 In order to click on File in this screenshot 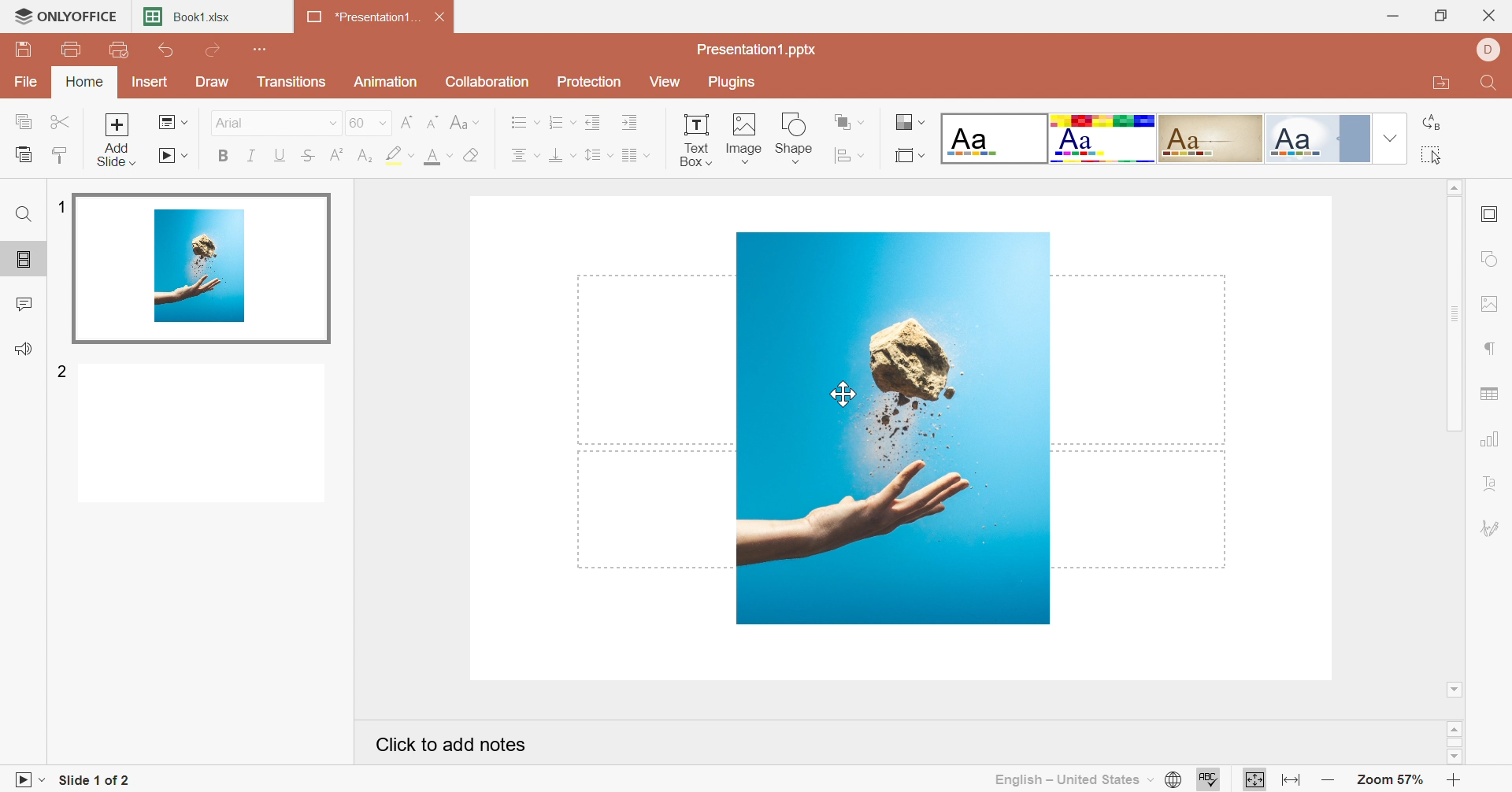, I will do `click(29, 80)`.